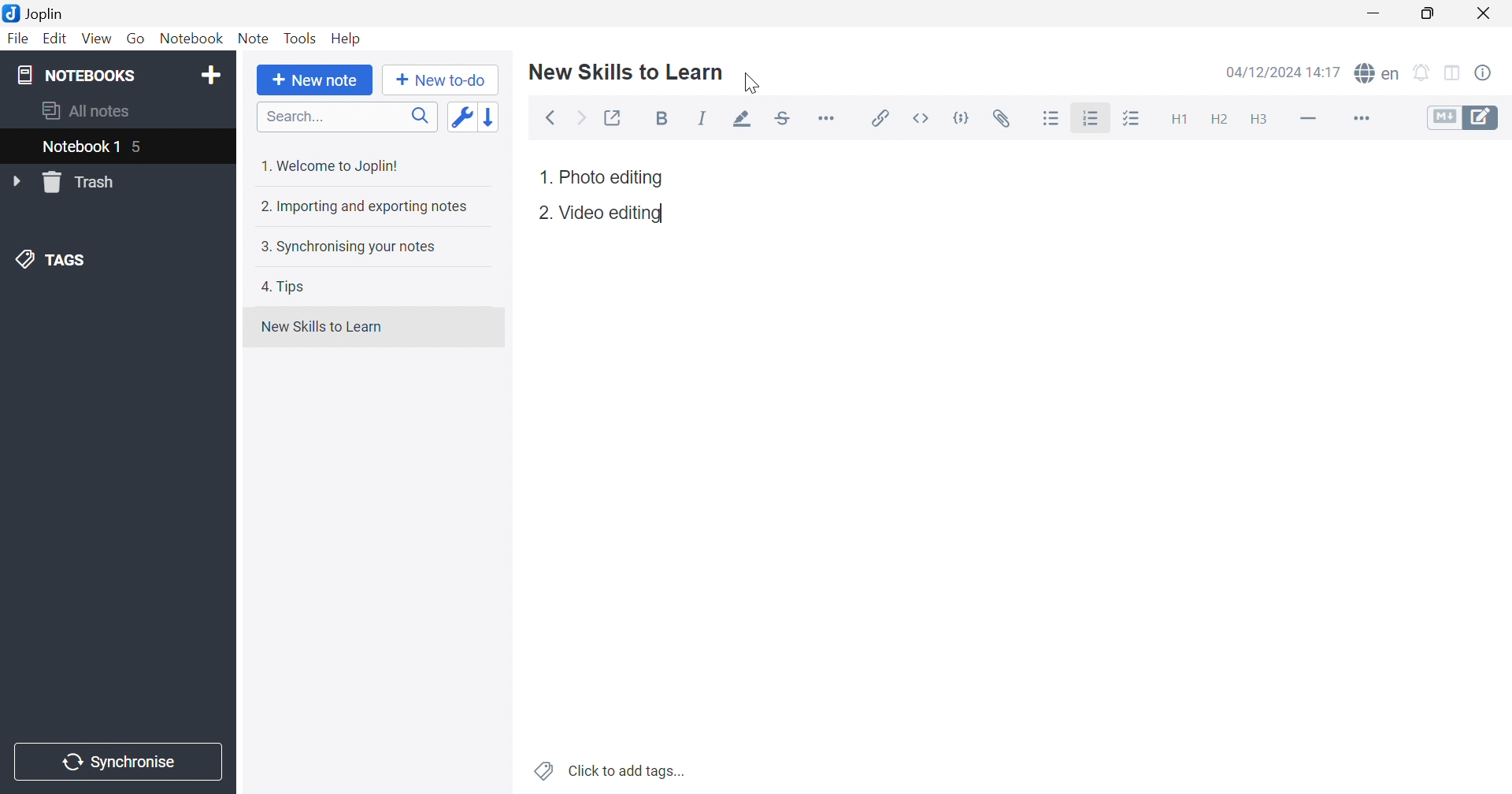  Describe the element at coordinates (1376, 72) in the screenshot. I see `Spell checker` at that location.